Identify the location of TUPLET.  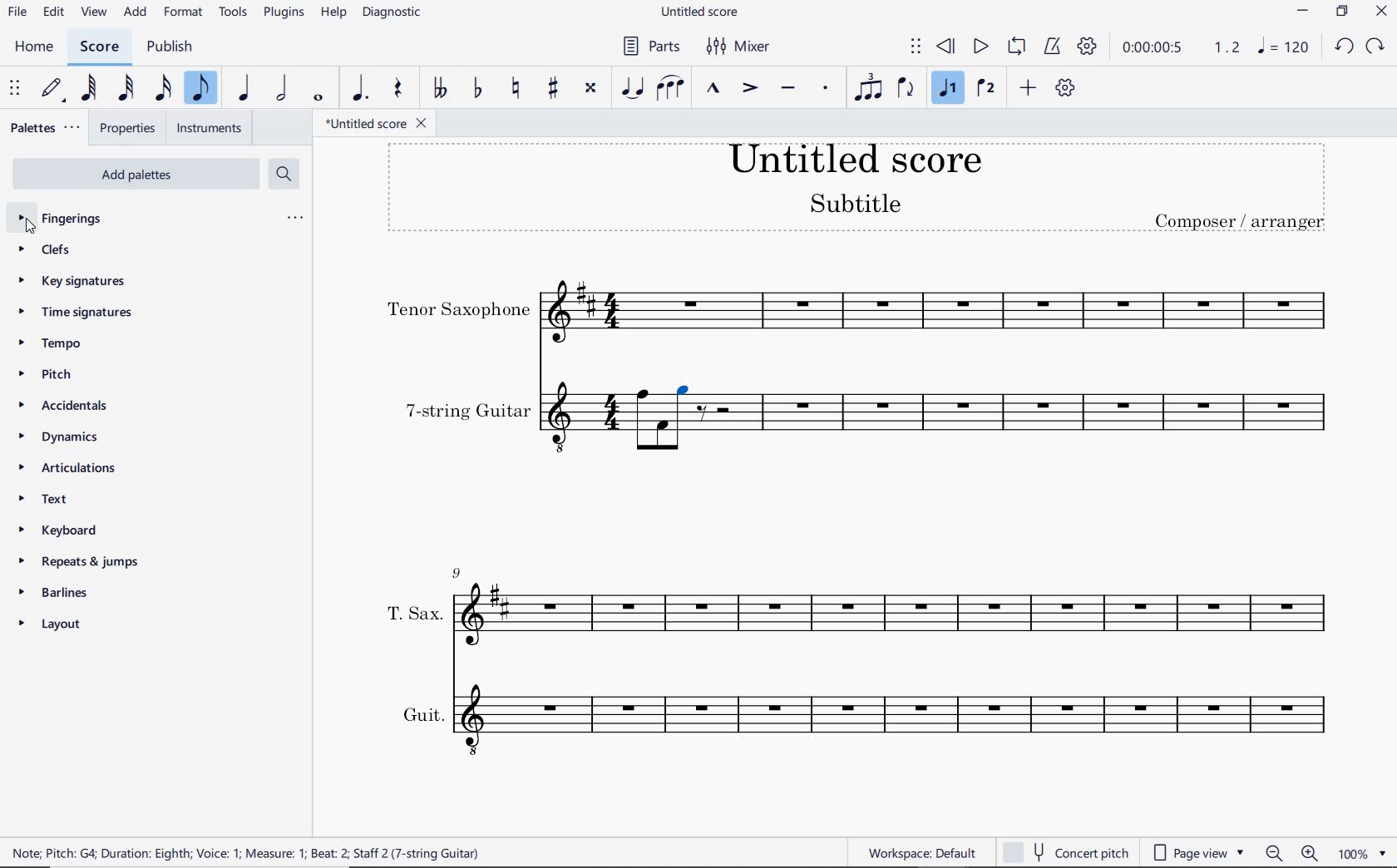
(869, 86).